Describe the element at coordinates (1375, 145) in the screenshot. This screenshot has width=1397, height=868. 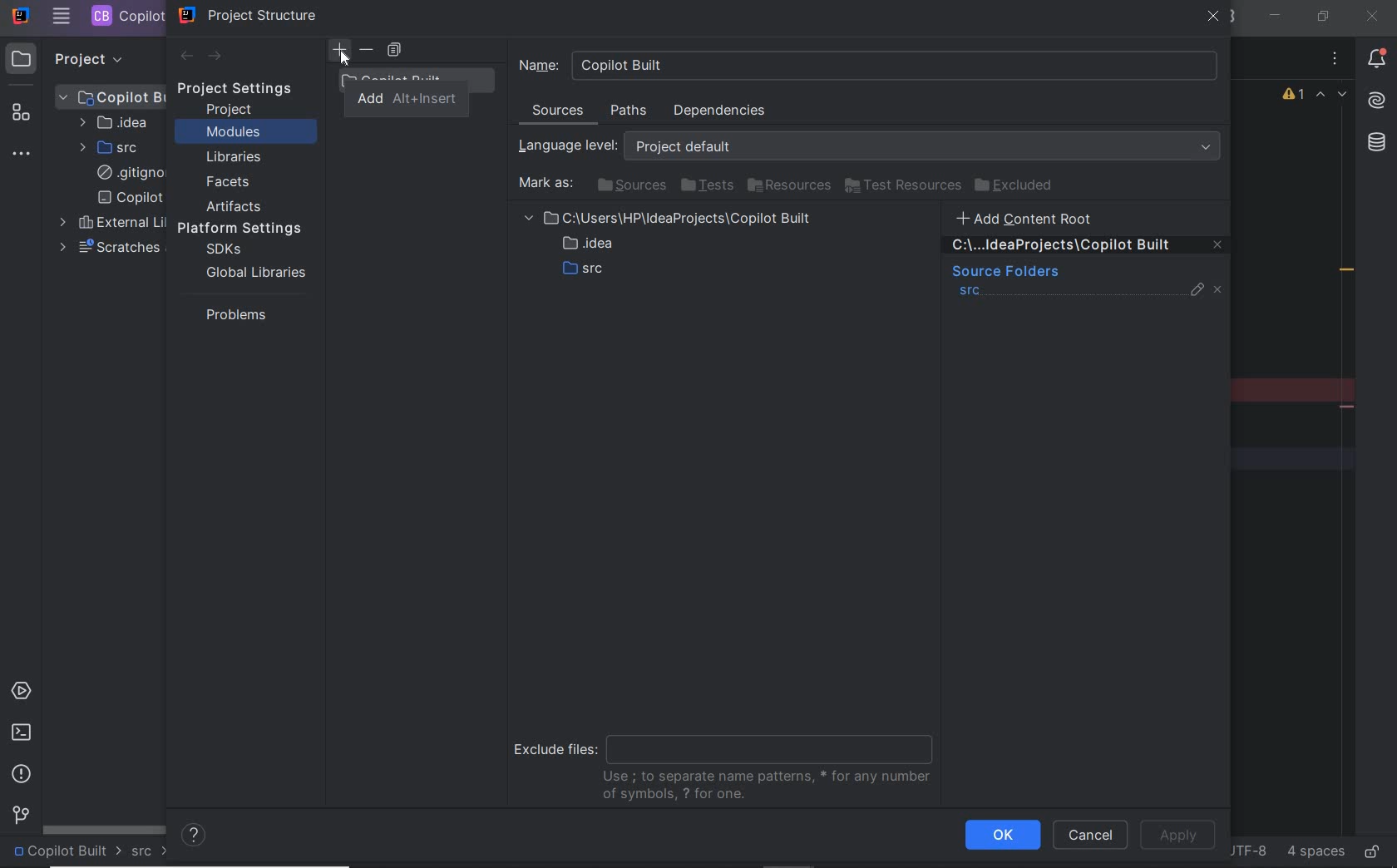
I see `database` at that location.